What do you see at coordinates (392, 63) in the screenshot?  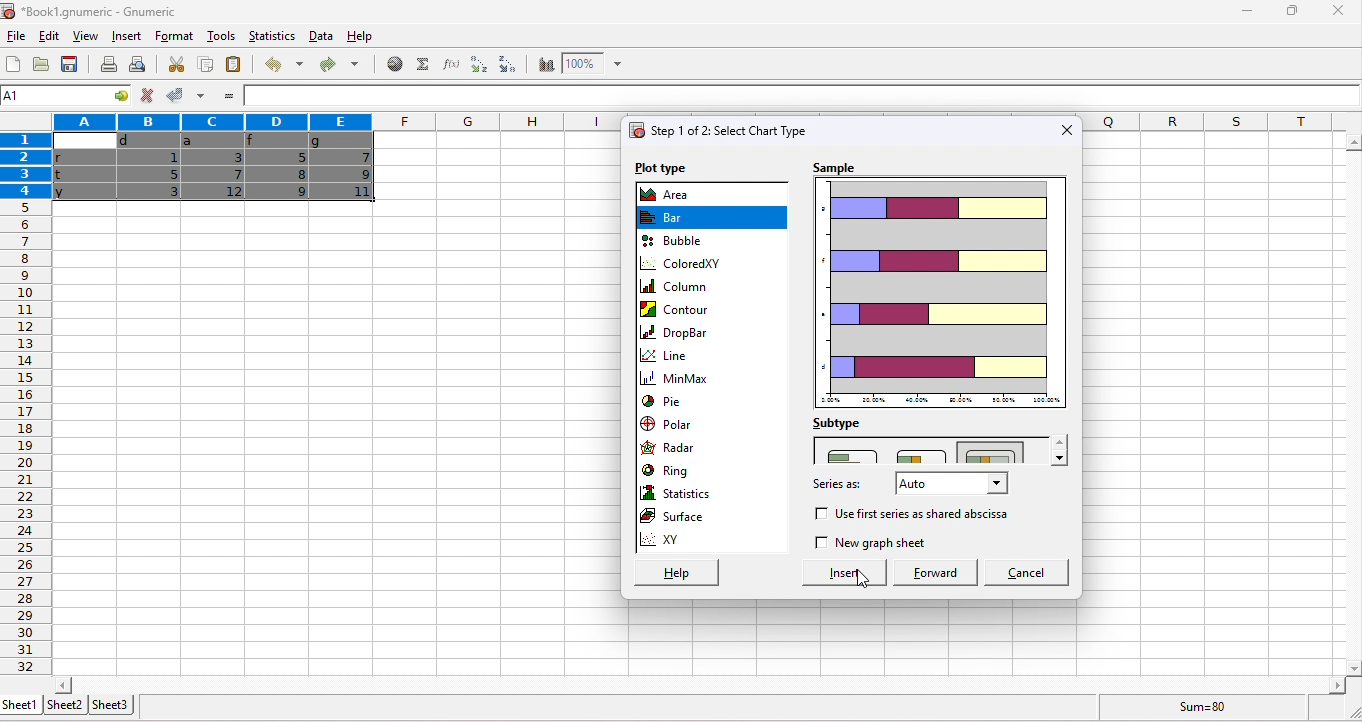 I see `hyperlink` at bounding box center [392, 63].